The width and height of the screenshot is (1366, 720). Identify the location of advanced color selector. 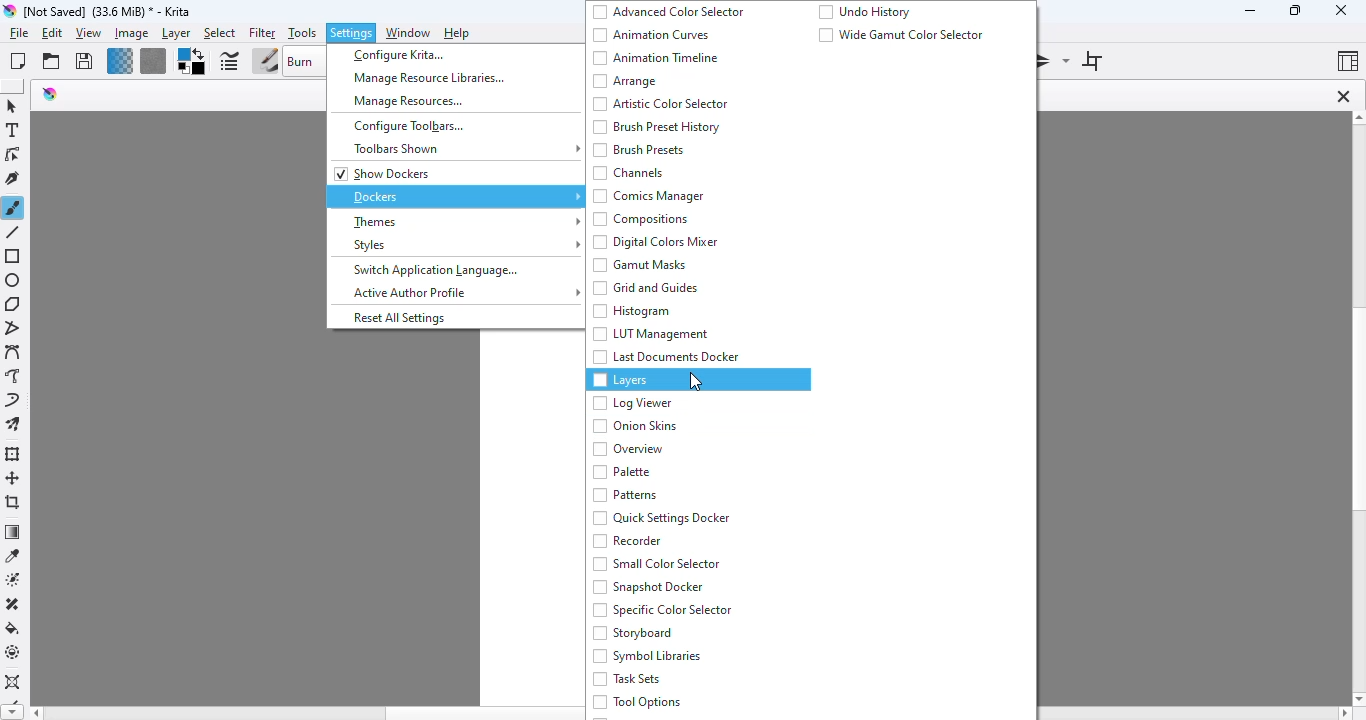
(669, 12).